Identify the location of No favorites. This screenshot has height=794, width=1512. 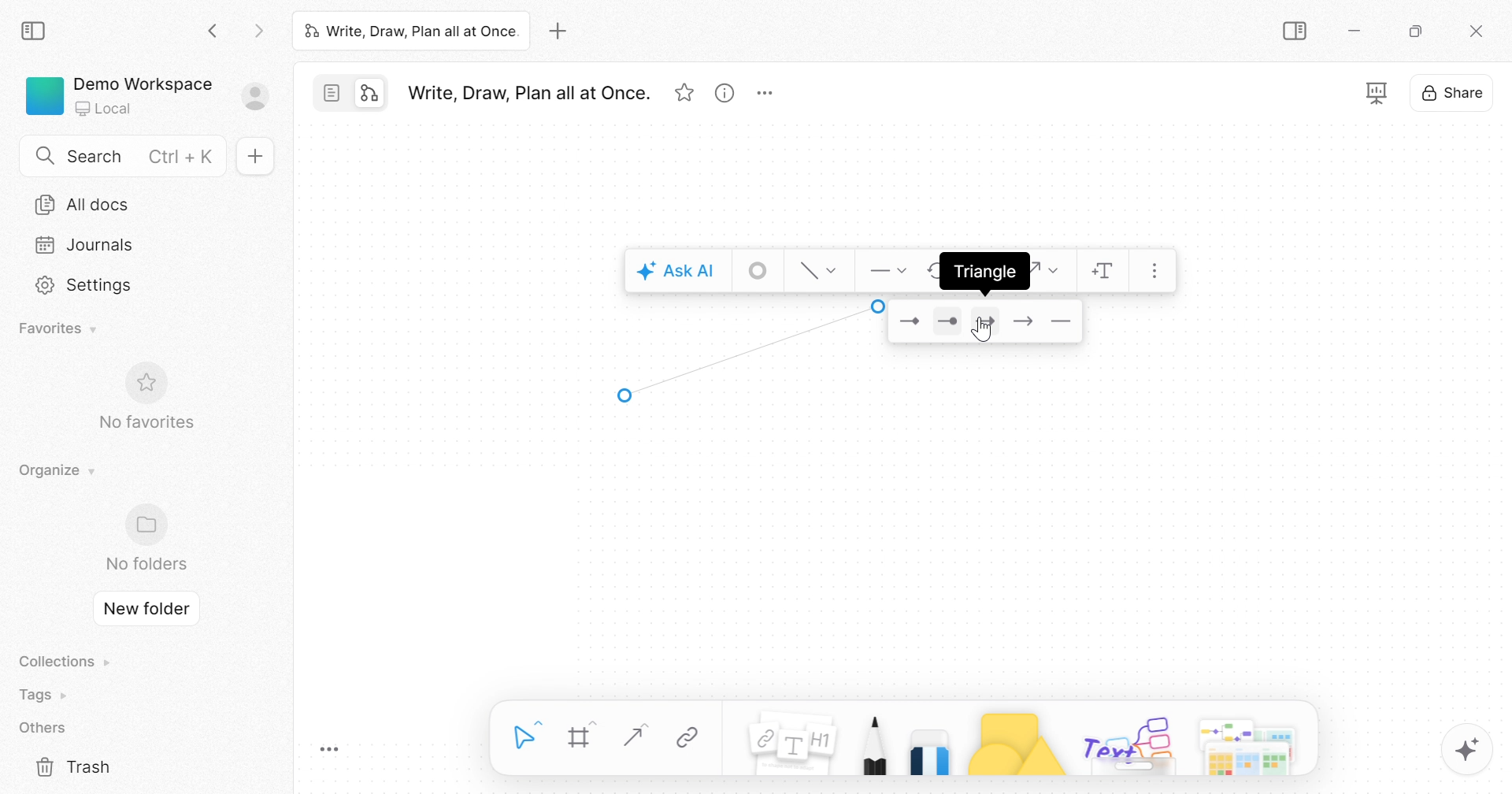
(144, 422).